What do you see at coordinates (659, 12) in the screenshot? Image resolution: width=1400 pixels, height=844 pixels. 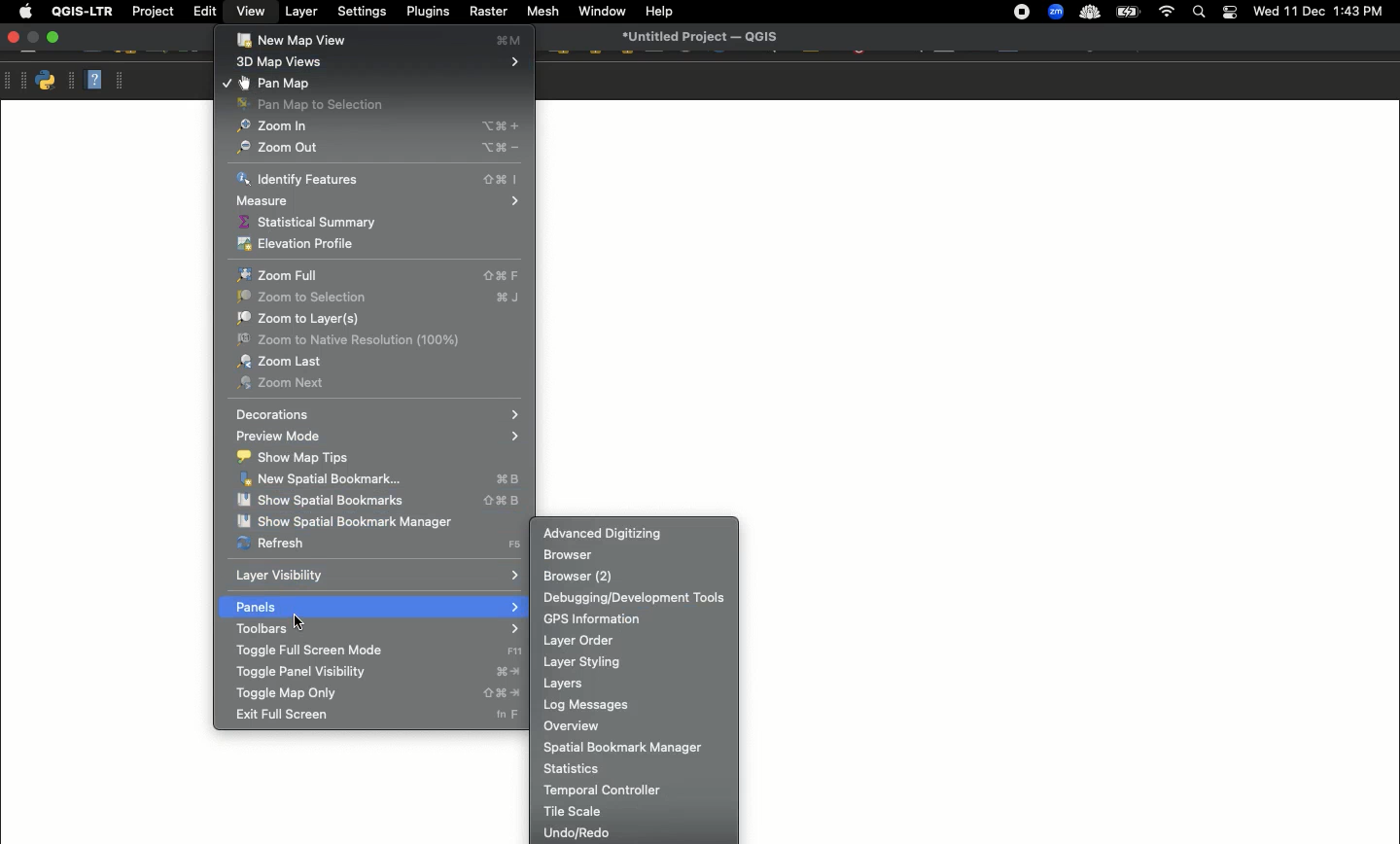 I see `Help` at bounding box center [659, 12].